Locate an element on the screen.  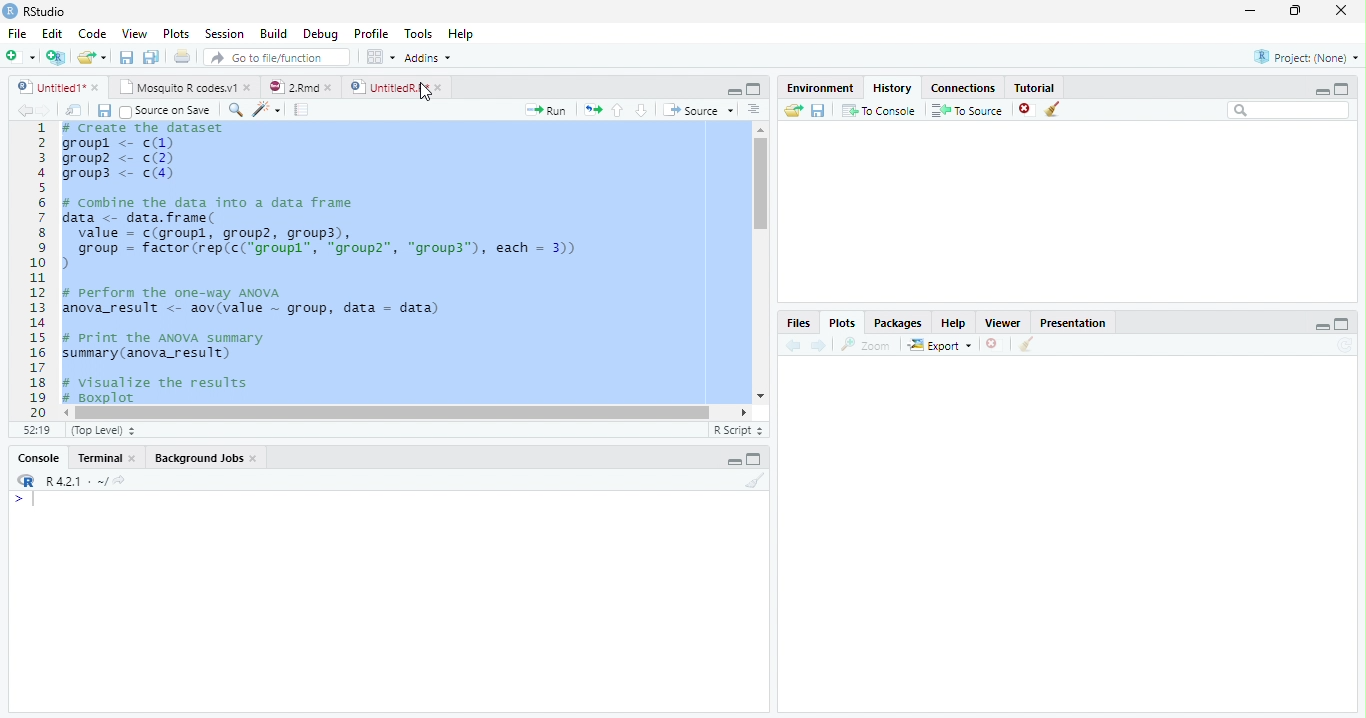
R script is located at coordinates (736, 429).